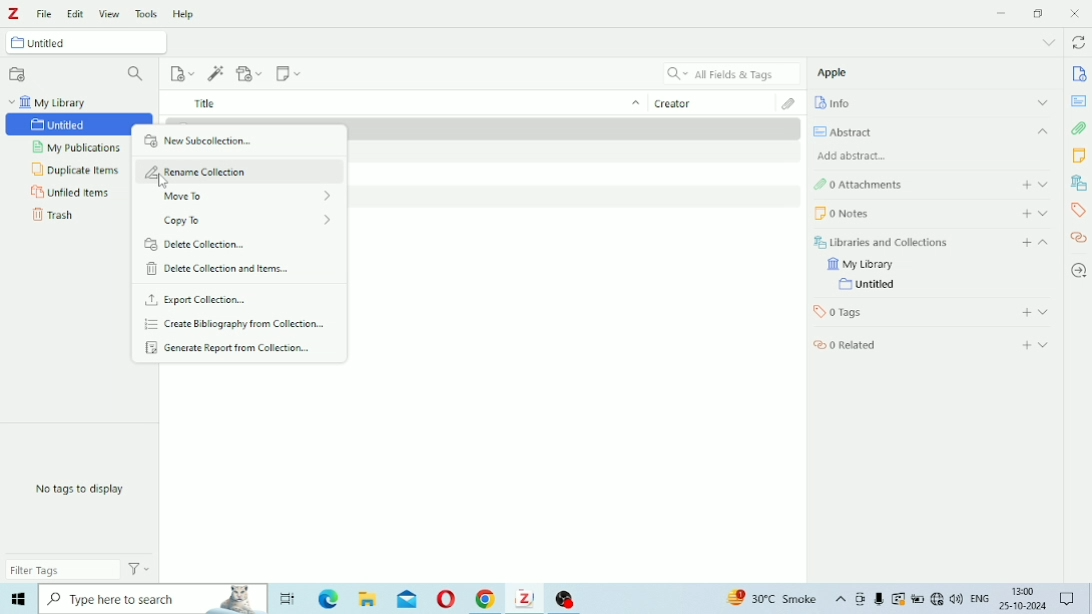  What do you see at coordinates (850, 598) in the screenshot?
I see `` at bounding box center [850, 598].